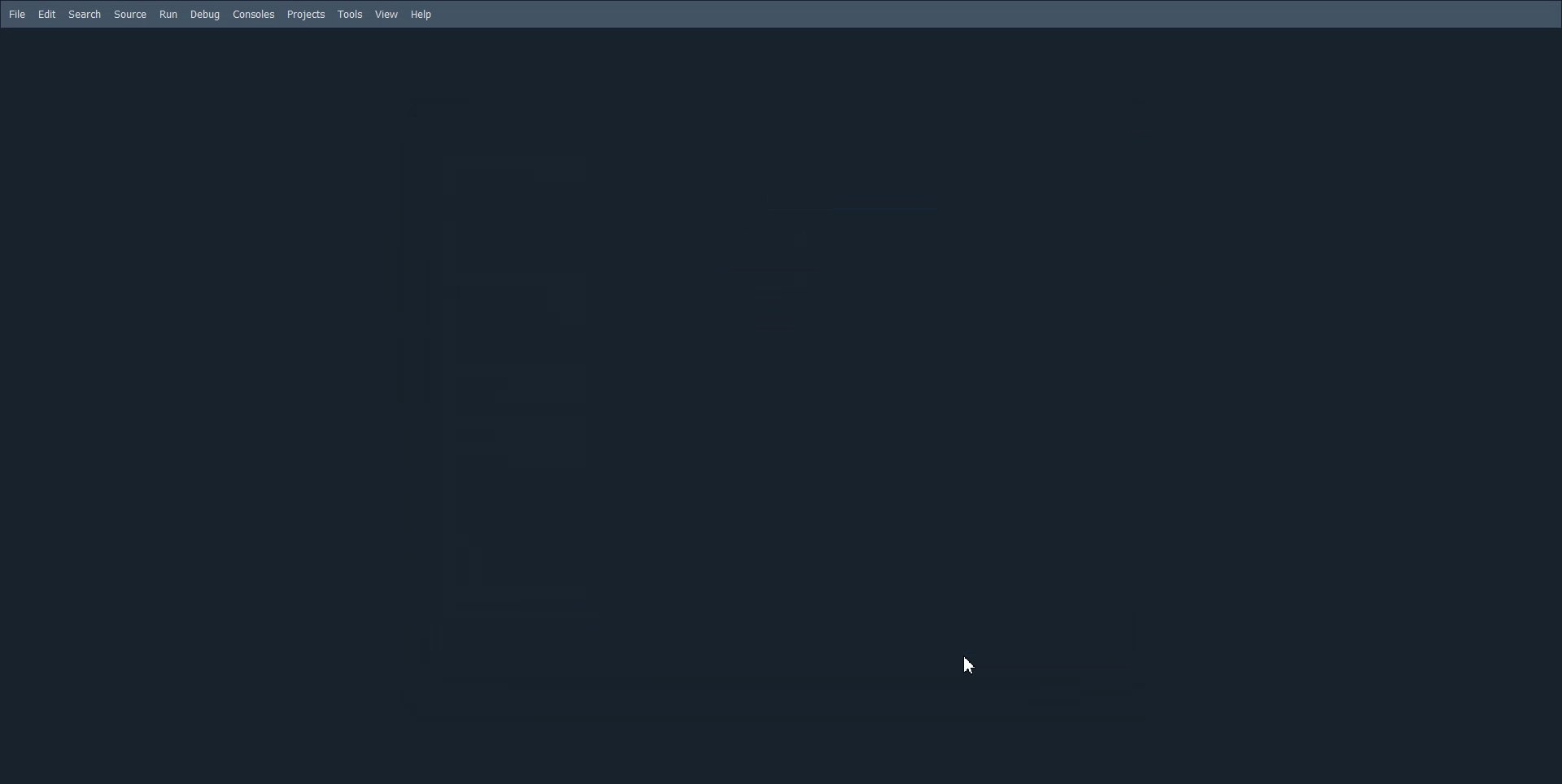 This screenshot has height=784, width=1562. I want to click on Tools , so click(350, 14).